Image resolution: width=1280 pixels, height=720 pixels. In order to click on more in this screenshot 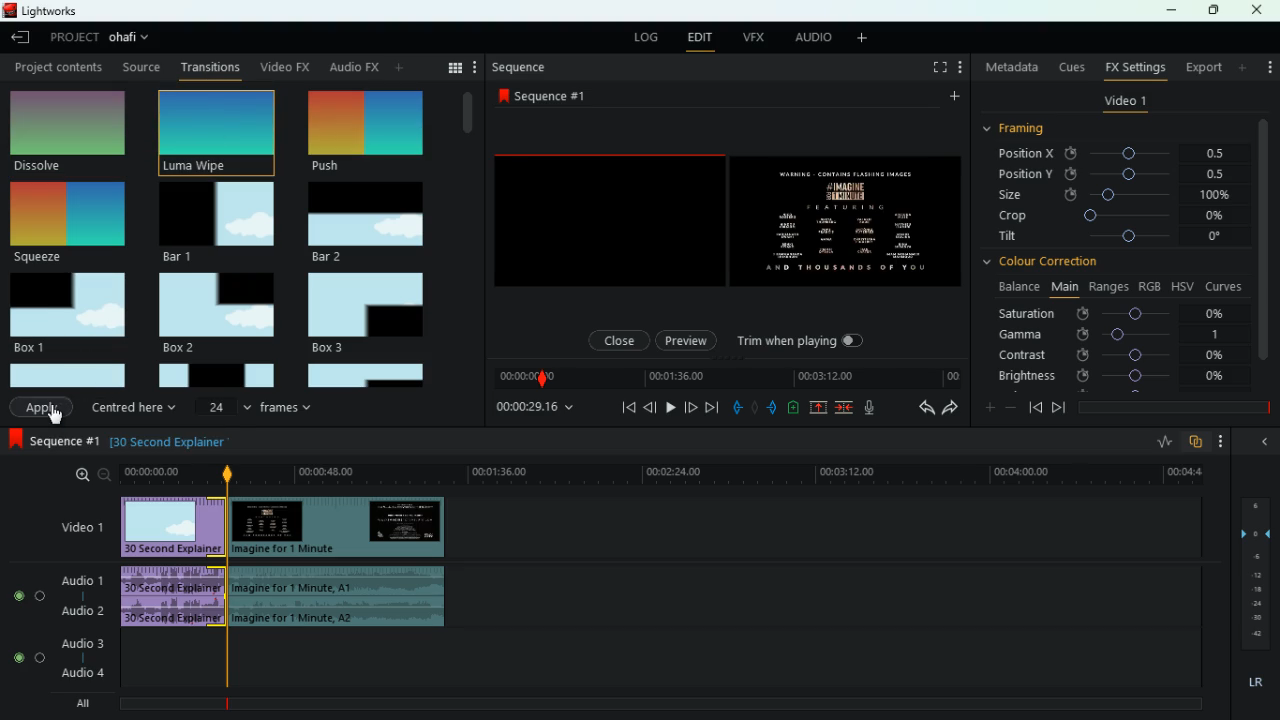, I will do `click(952, 99)`.